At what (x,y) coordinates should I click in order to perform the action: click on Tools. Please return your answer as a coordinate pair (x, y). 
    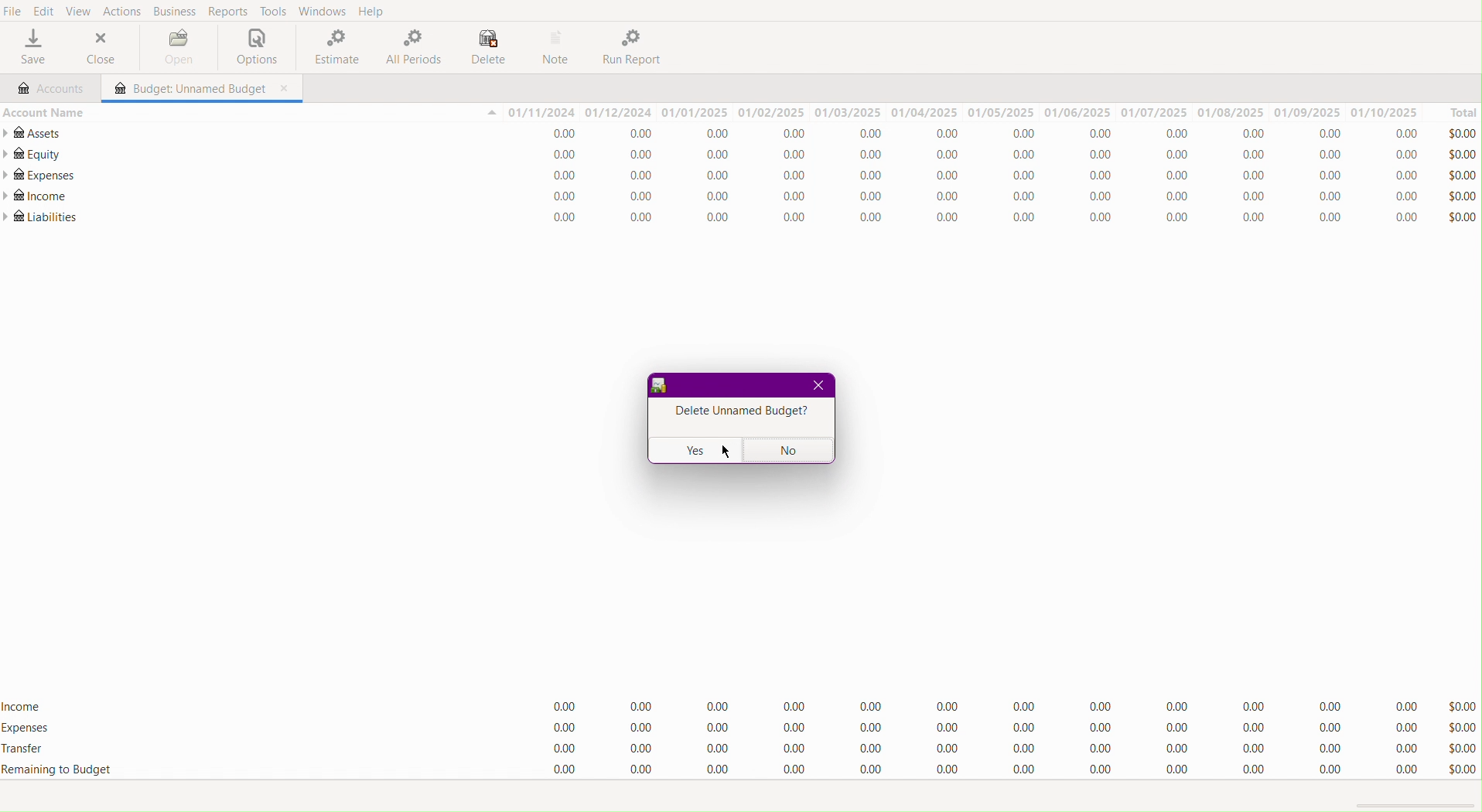
    Looking at the image, I should click on (271, 12).